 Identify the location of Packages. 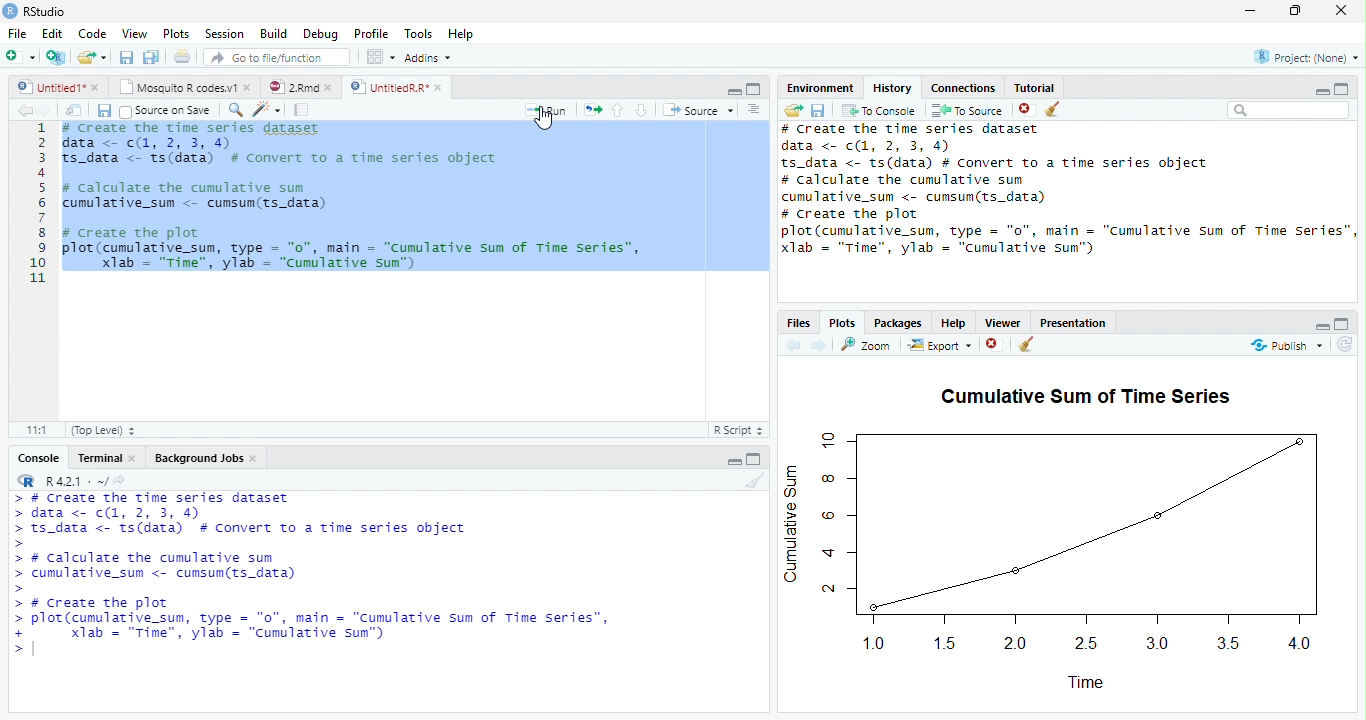
(896, 323).